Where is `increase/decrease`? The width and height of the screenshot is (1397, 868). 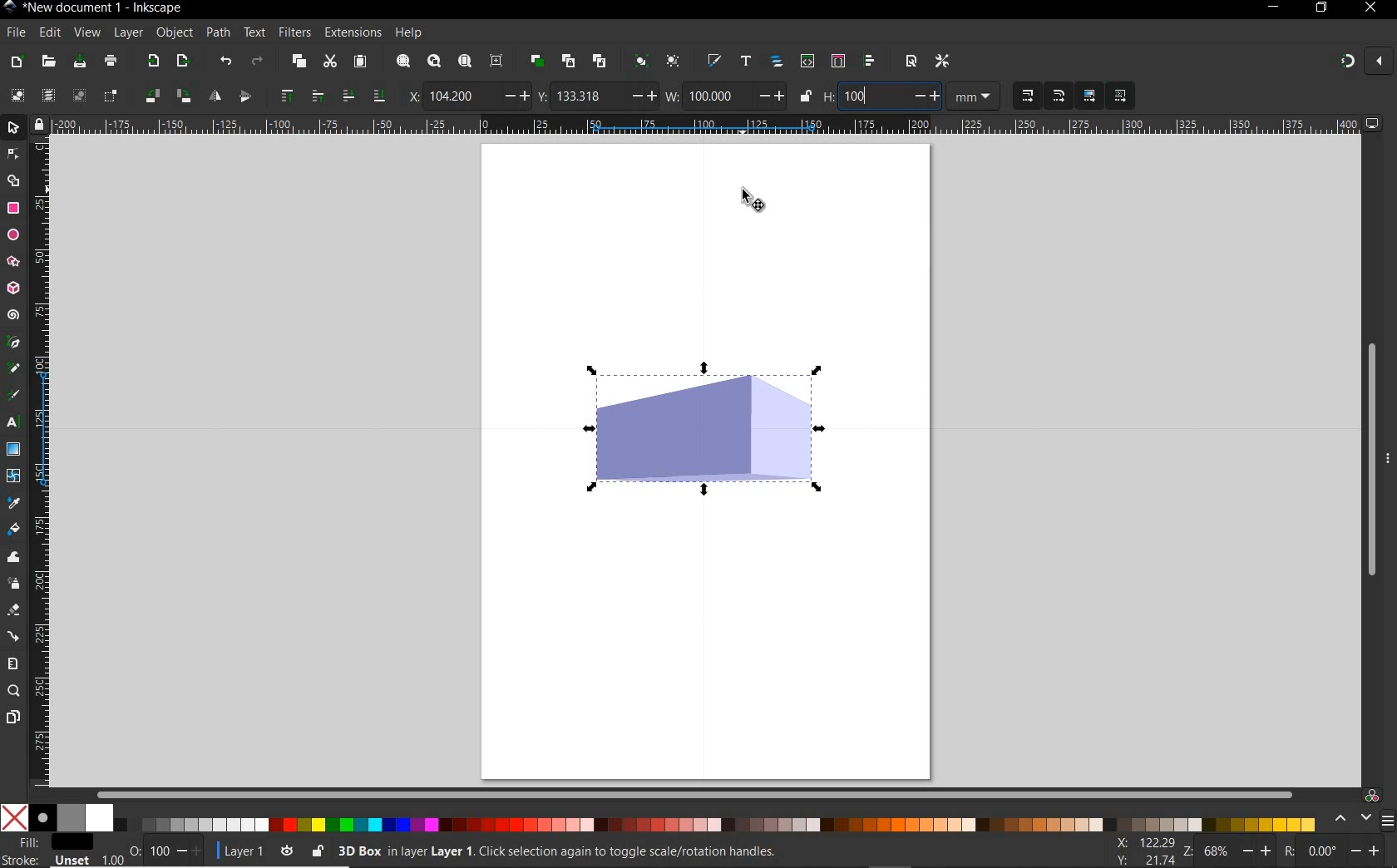 increase/decrease is located at coordinates (1366, 851).